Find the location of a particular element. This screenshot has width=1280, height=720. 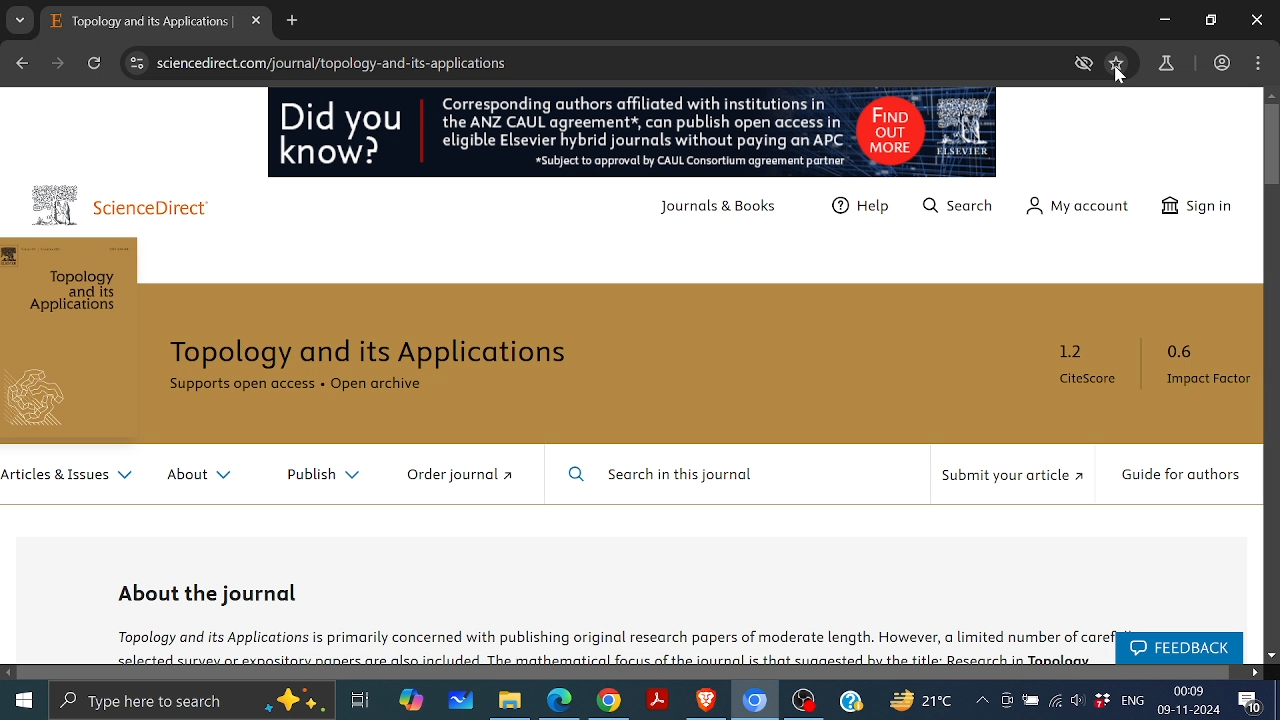

Hide web address is located at coordinates (1086, 64).